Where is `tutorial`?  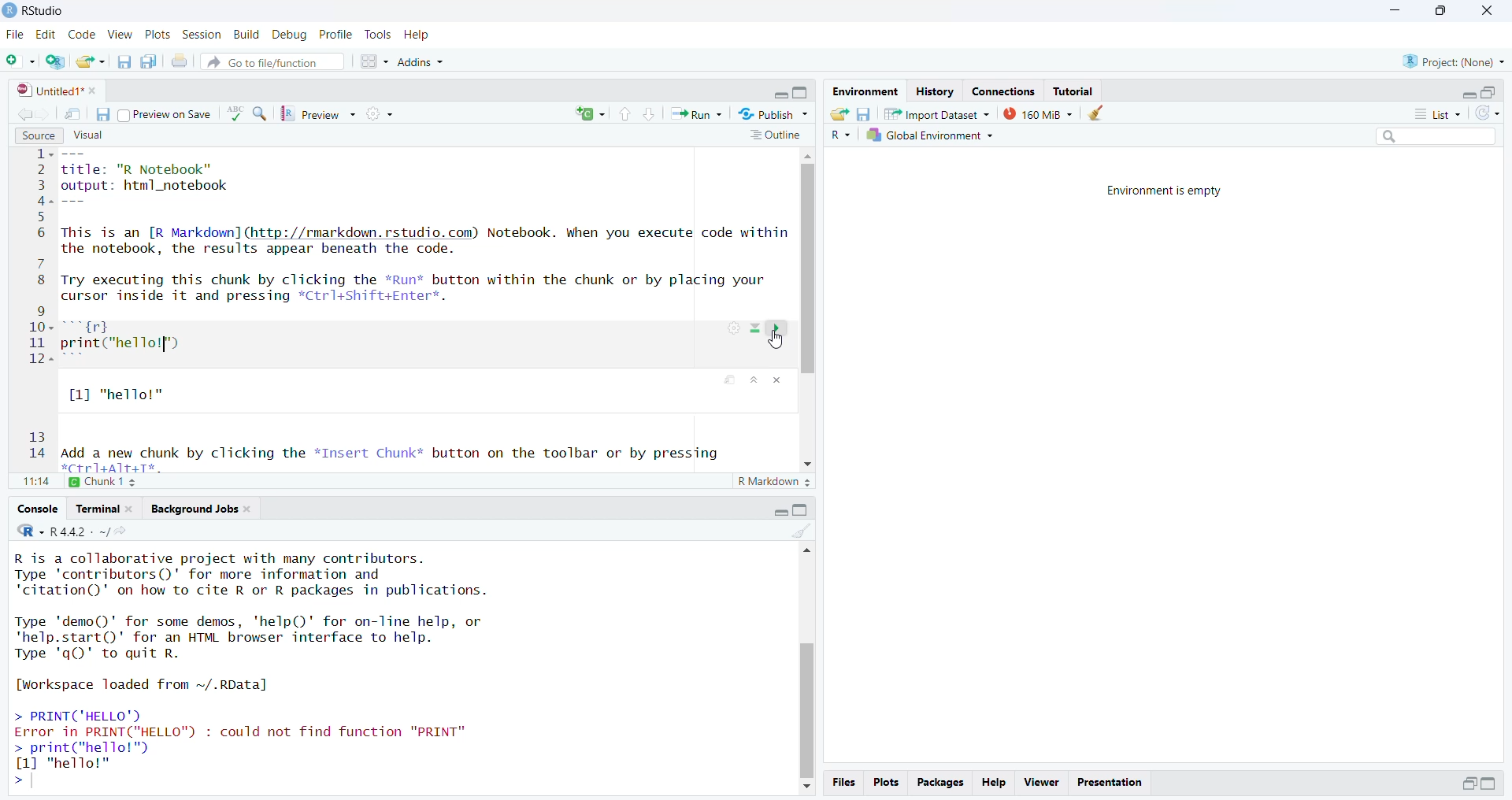 tutorial is located at coordinates (1075, 91).